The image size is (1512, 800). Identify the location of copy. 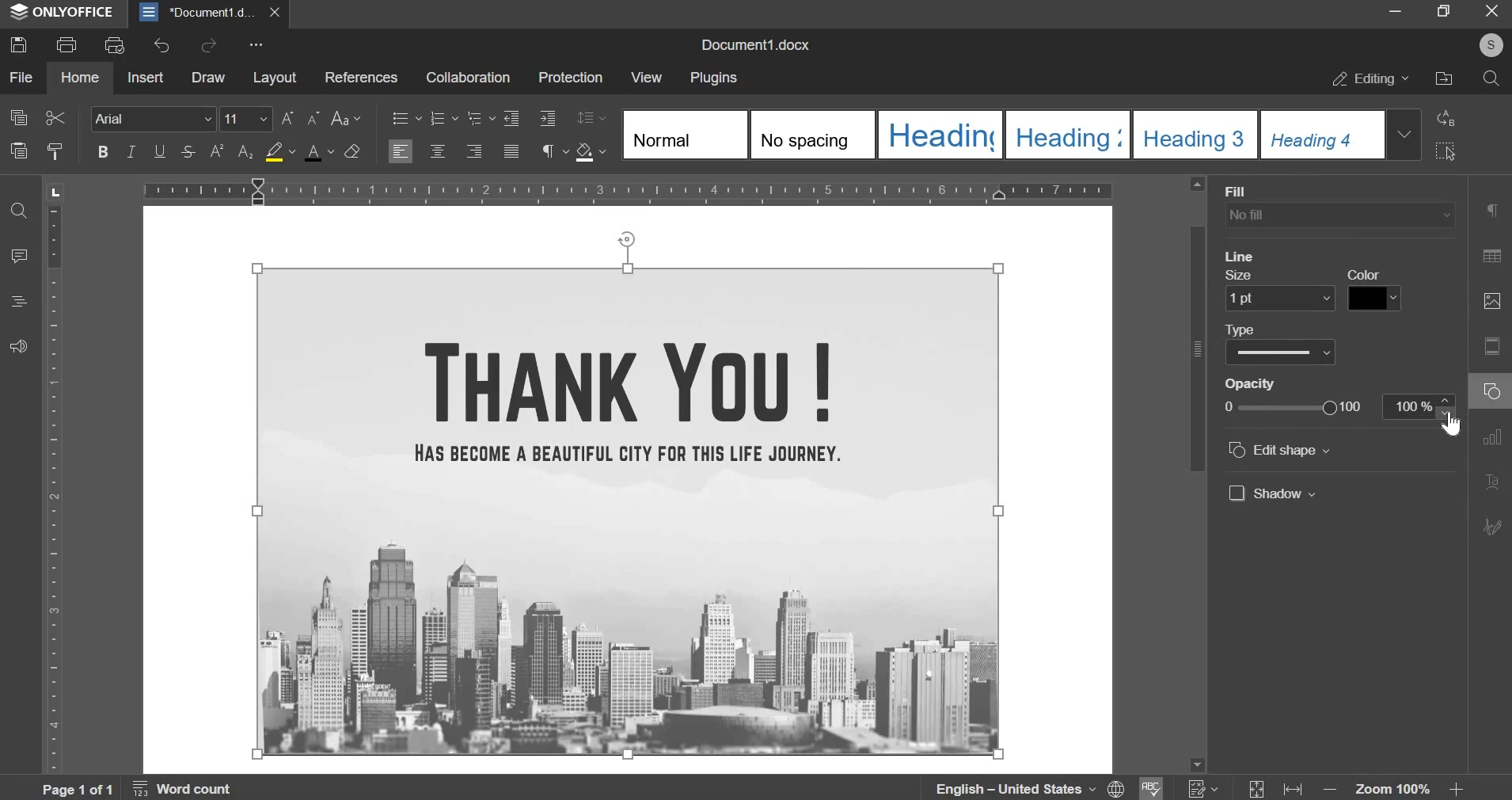
(18, 117).